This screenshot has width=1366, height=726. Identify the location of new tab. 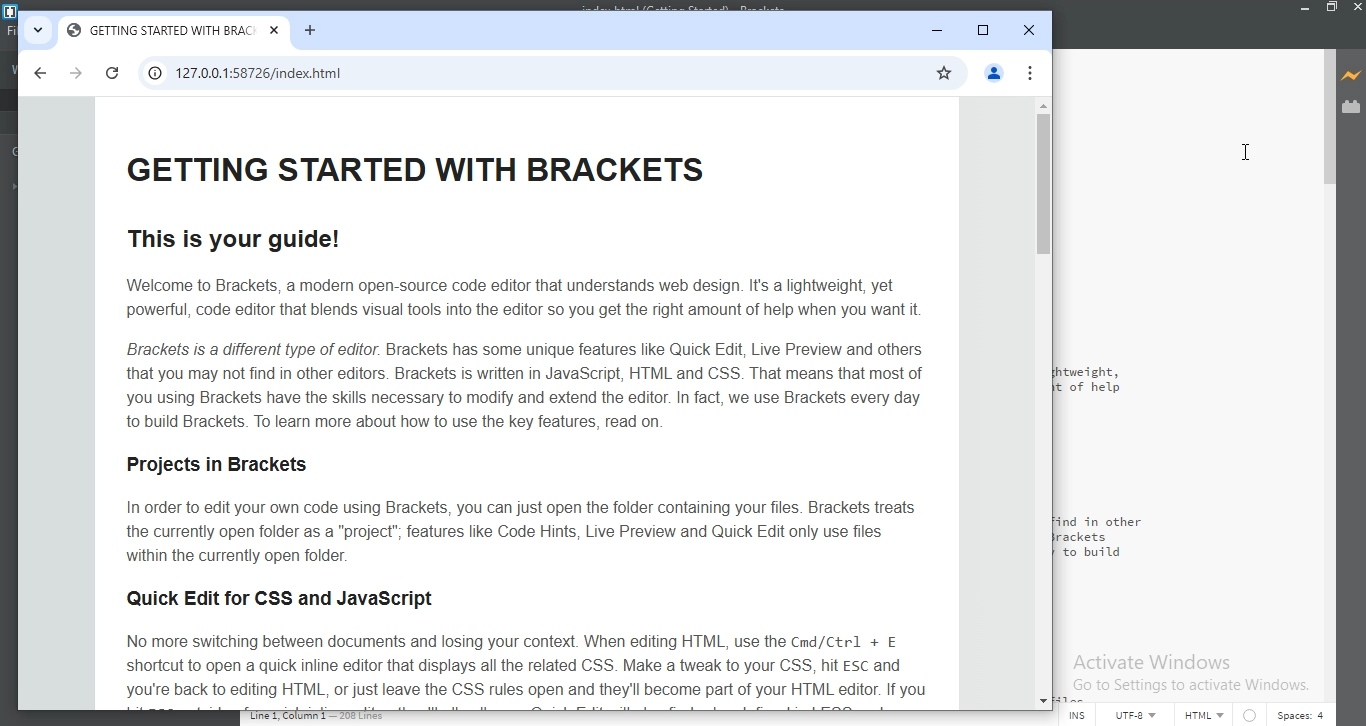
(310, 31).